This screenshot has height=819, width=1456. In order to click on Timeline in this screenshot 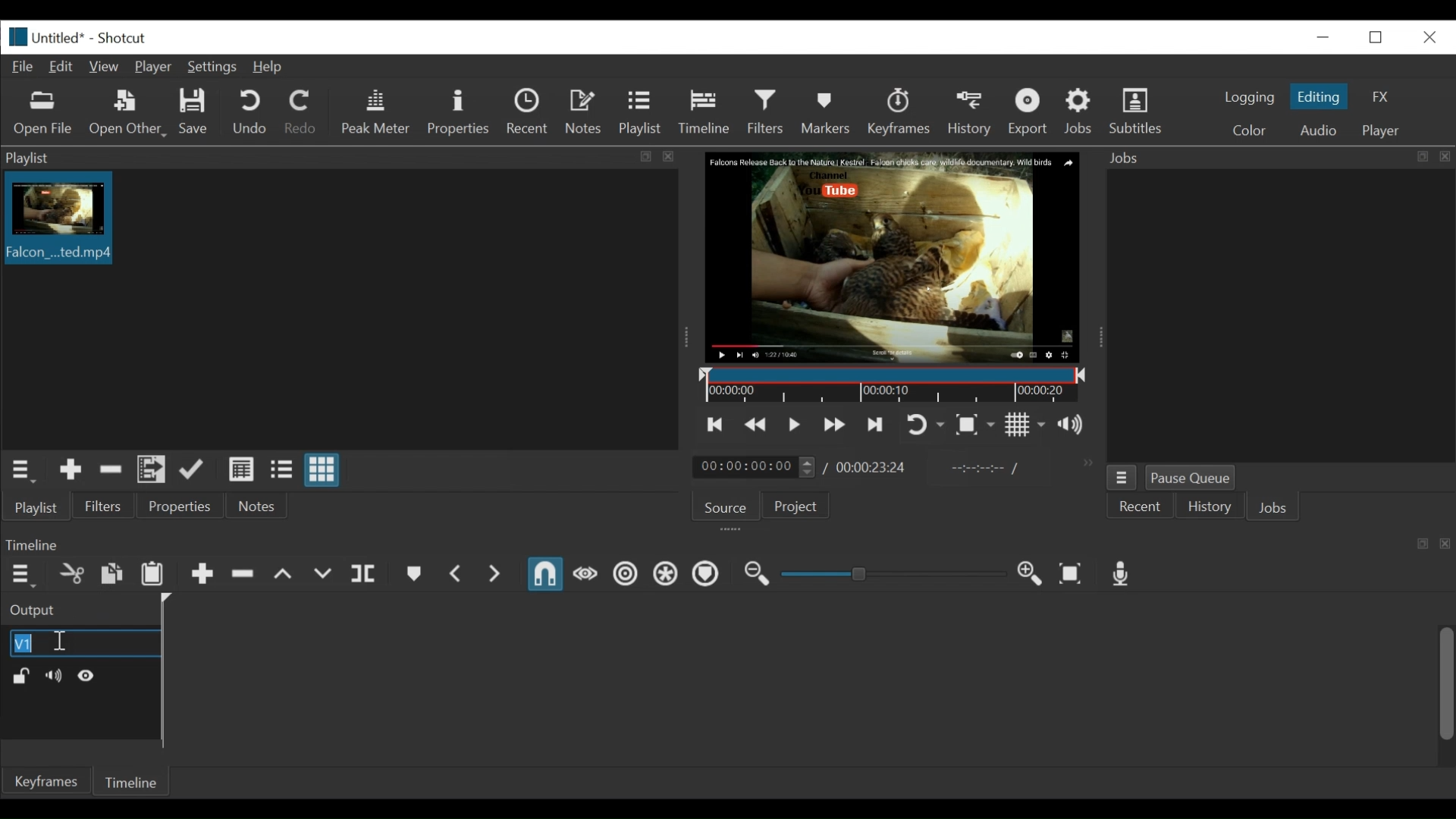, I will do `click(893, 385)`.